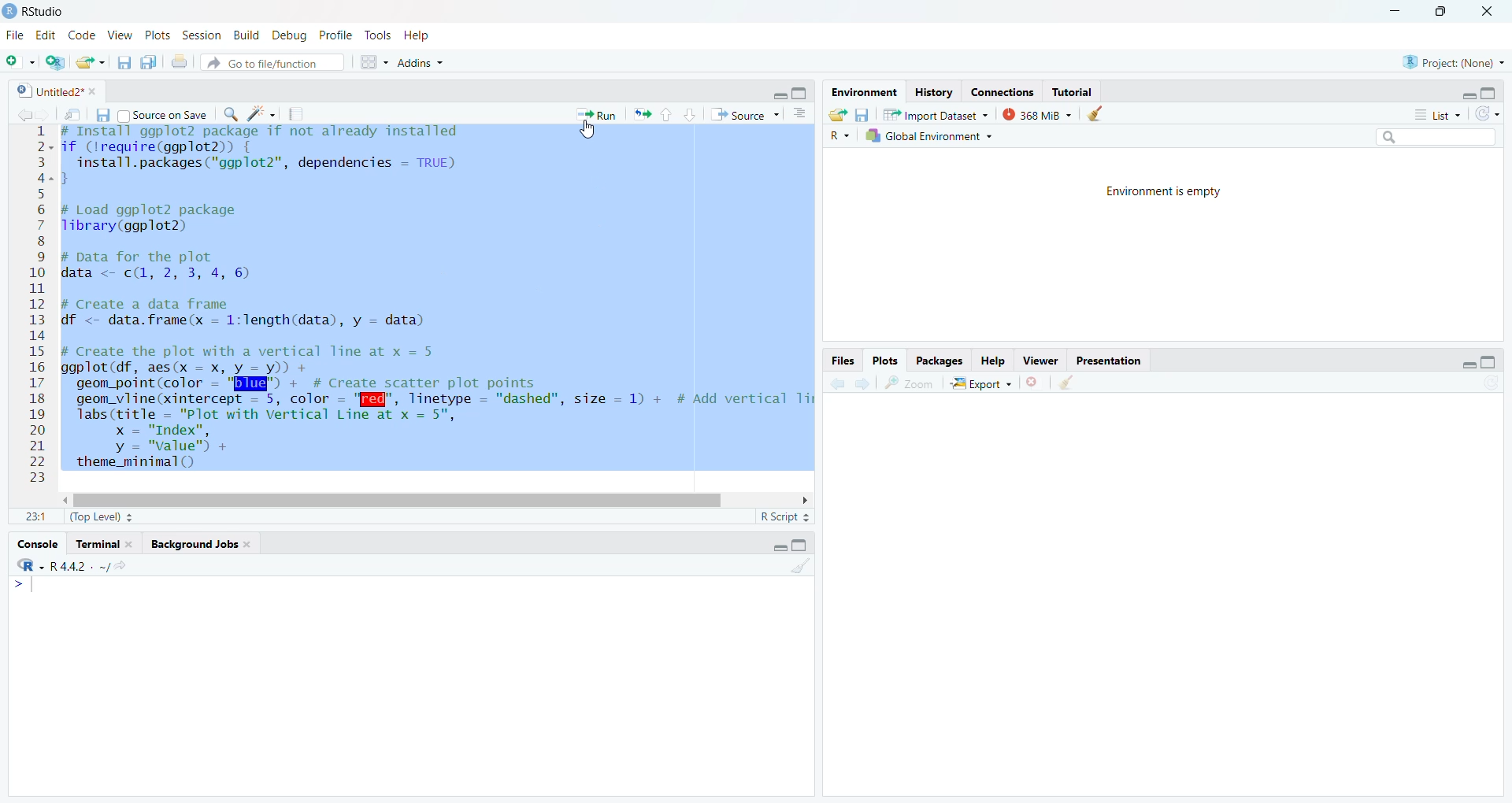 This screenshot has width=1512, height=803. What do you see at coordinates (245, 36) in the screenshot?
I see `n Build` at bounding box center [245, 36].